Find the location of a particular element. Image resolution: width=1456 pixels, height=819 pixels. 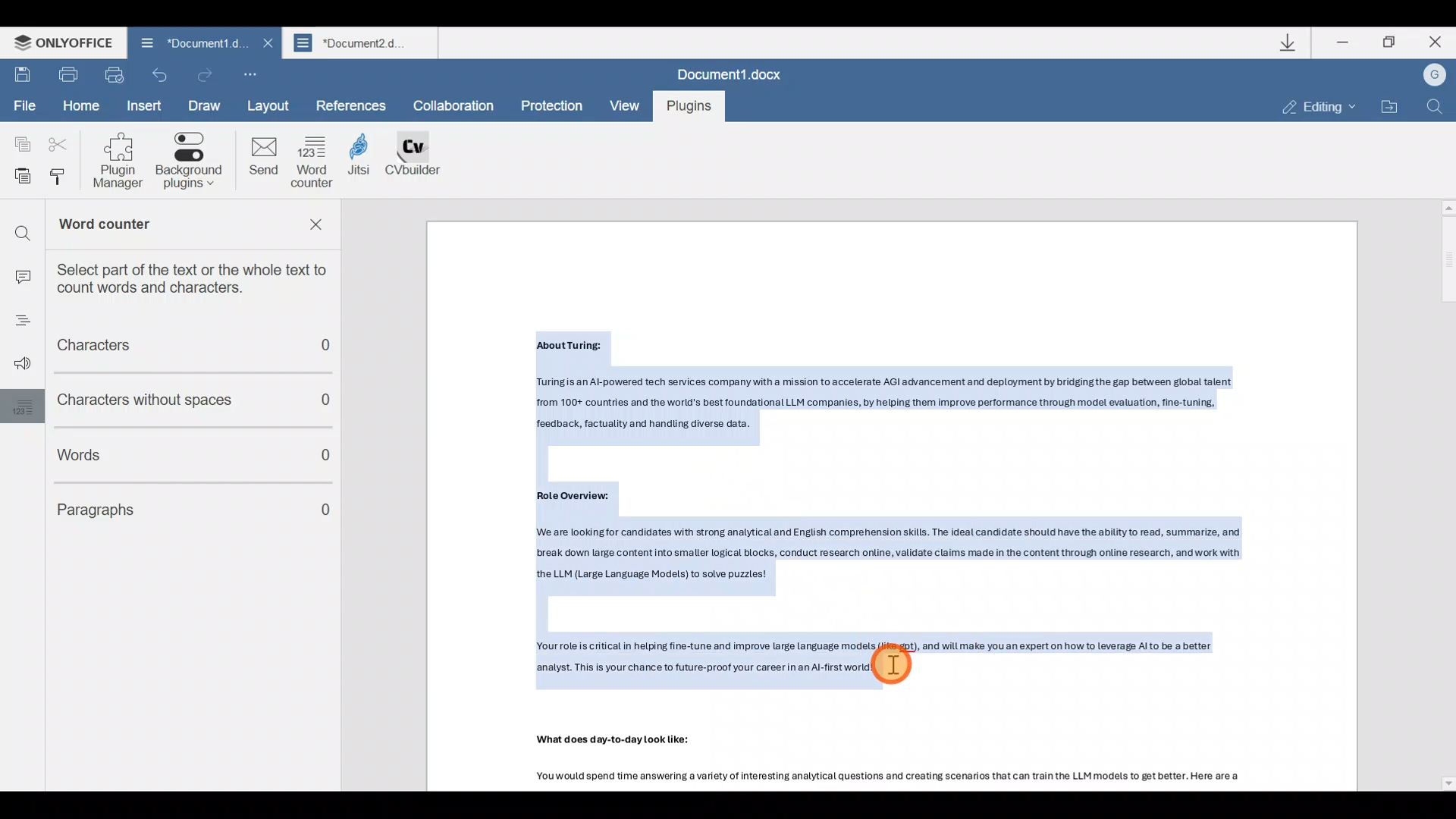

Close is located at coordinates (1432, 43).